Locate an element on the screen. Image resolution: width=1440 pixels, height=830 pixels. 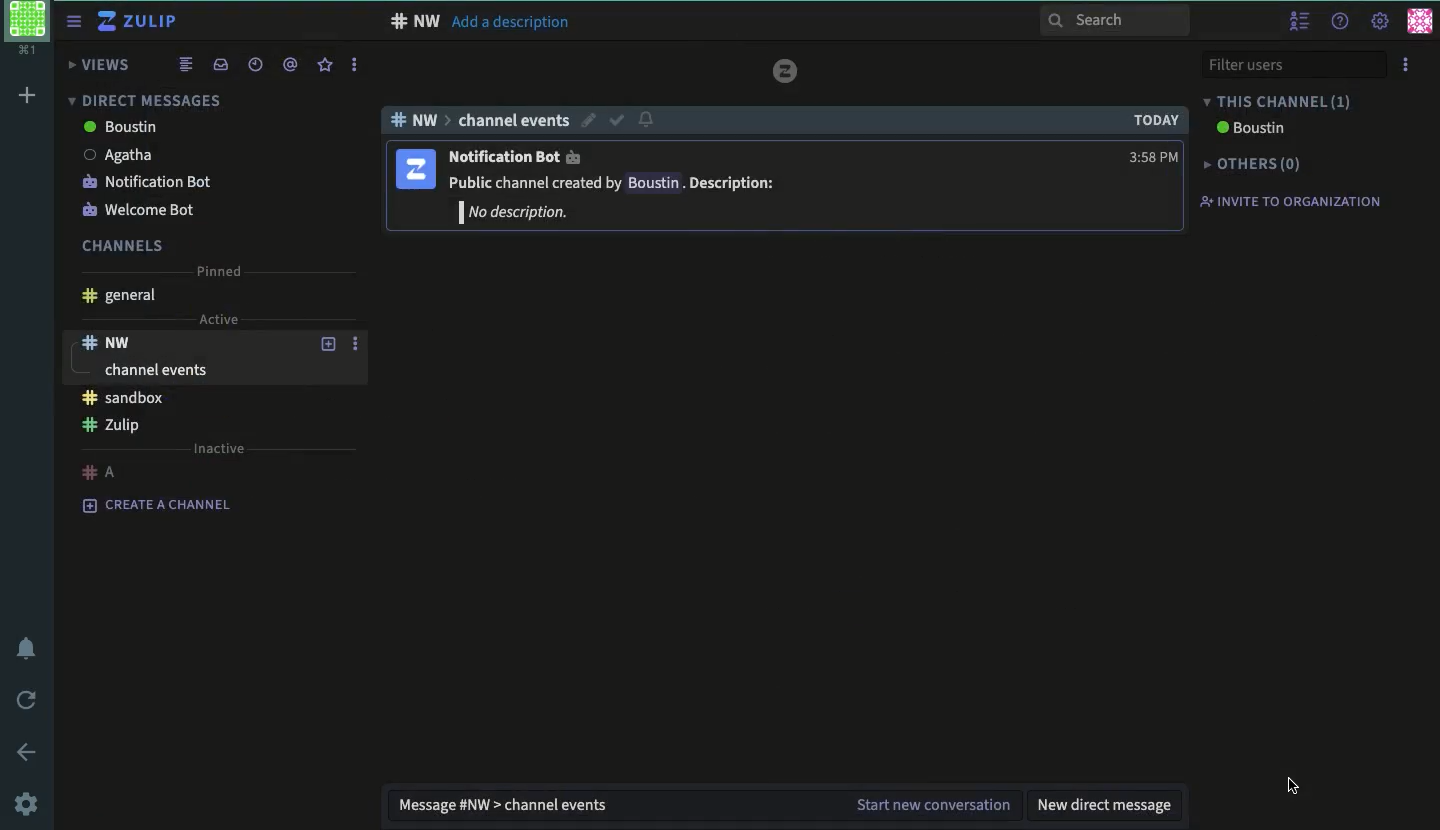
notification bot is located at coordinates (140, 184).